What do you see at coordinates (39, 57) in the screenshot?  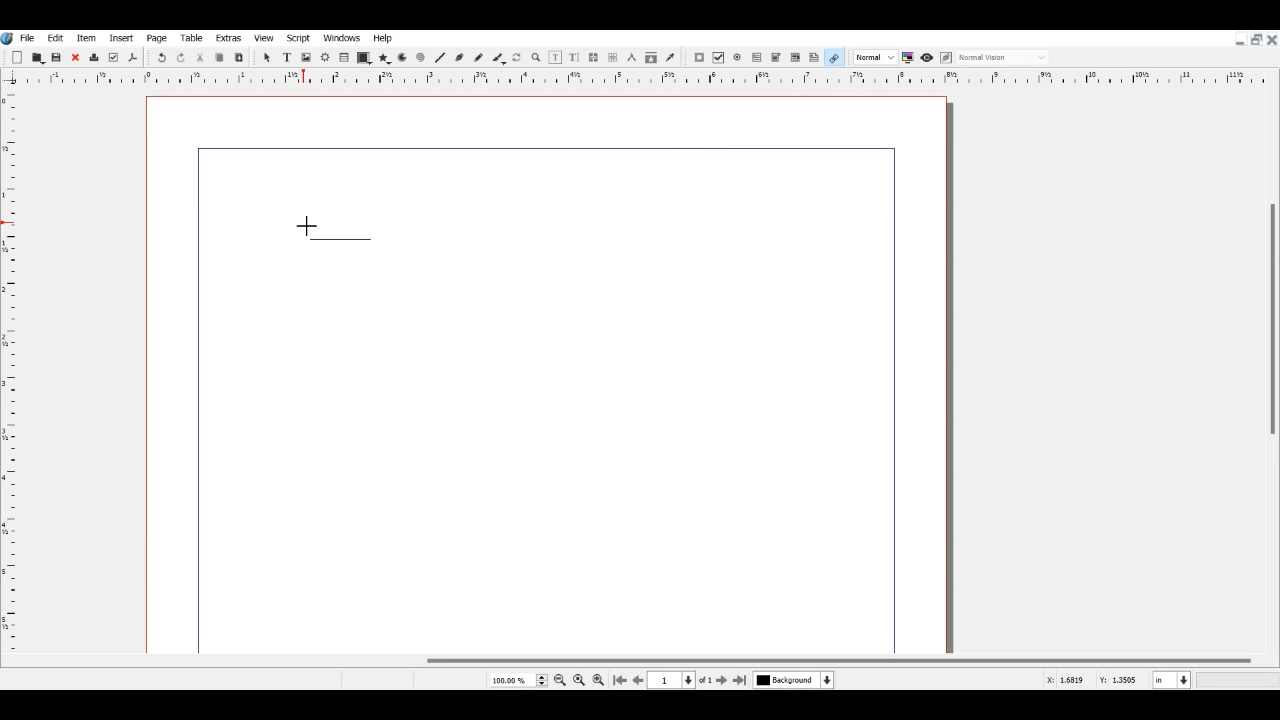 I see `Open` at bounding box center [39, 57].